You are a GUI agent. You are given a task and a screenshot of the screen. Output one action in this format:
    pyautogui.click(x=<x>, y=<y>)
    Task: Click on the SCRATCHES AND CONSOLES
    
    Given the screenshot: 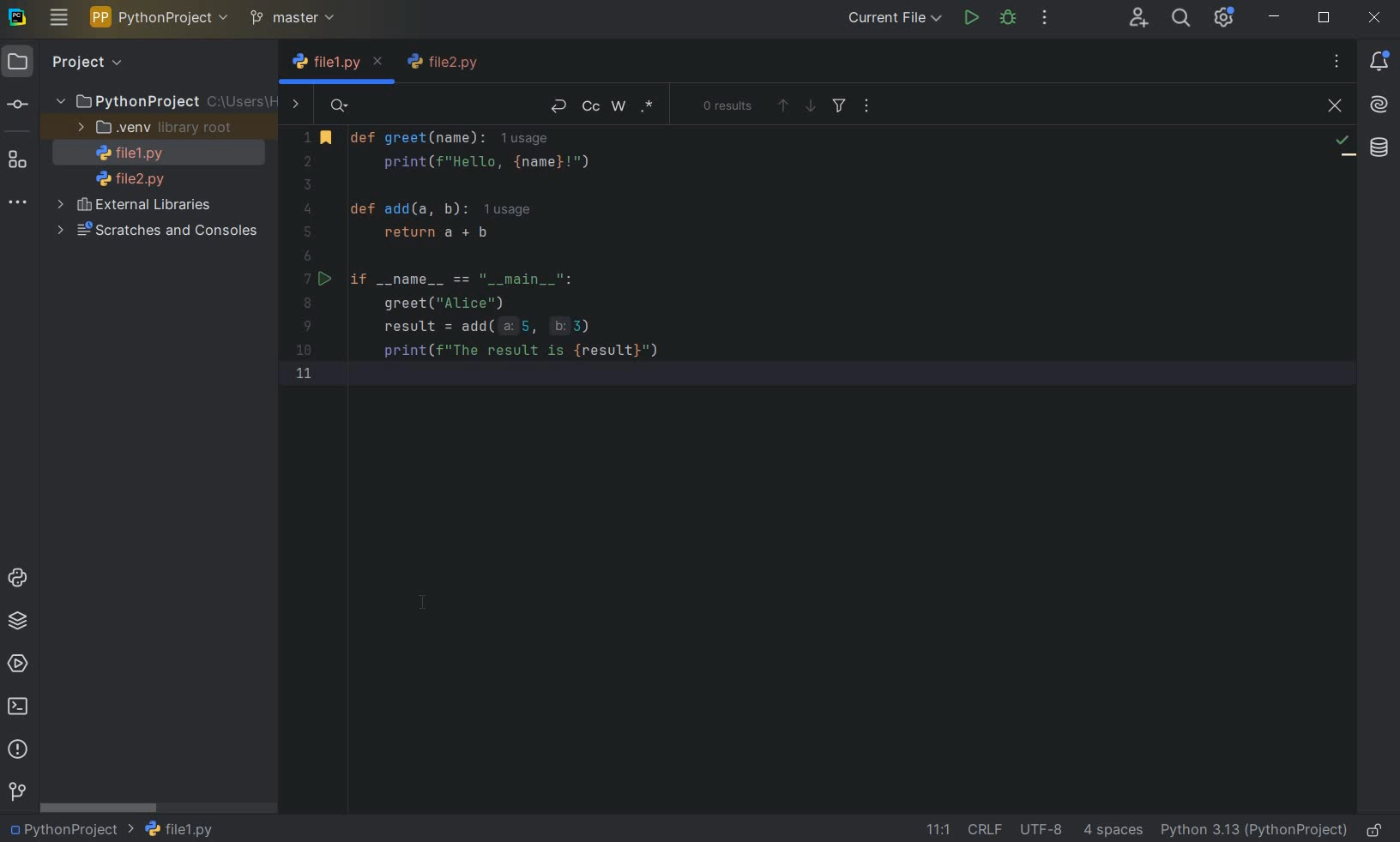 What is the action you would take?
    pyautogui.click(x=159, y=232)
    